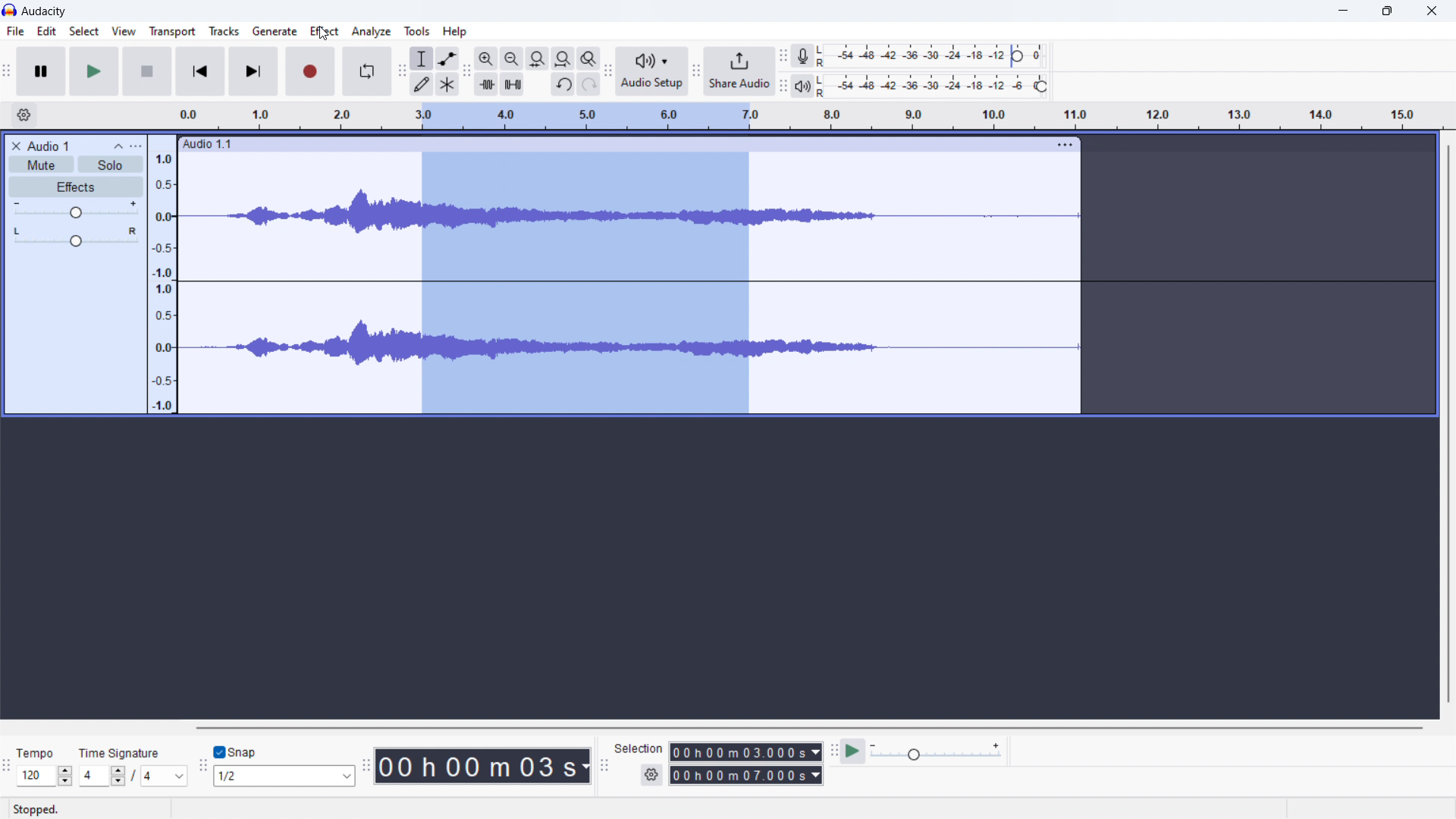 The width and height of the screenshot is (1456, 819). Describe the element at coordinates (783, 56) in the screenshot. I see `recording meter toolbar` at that location.